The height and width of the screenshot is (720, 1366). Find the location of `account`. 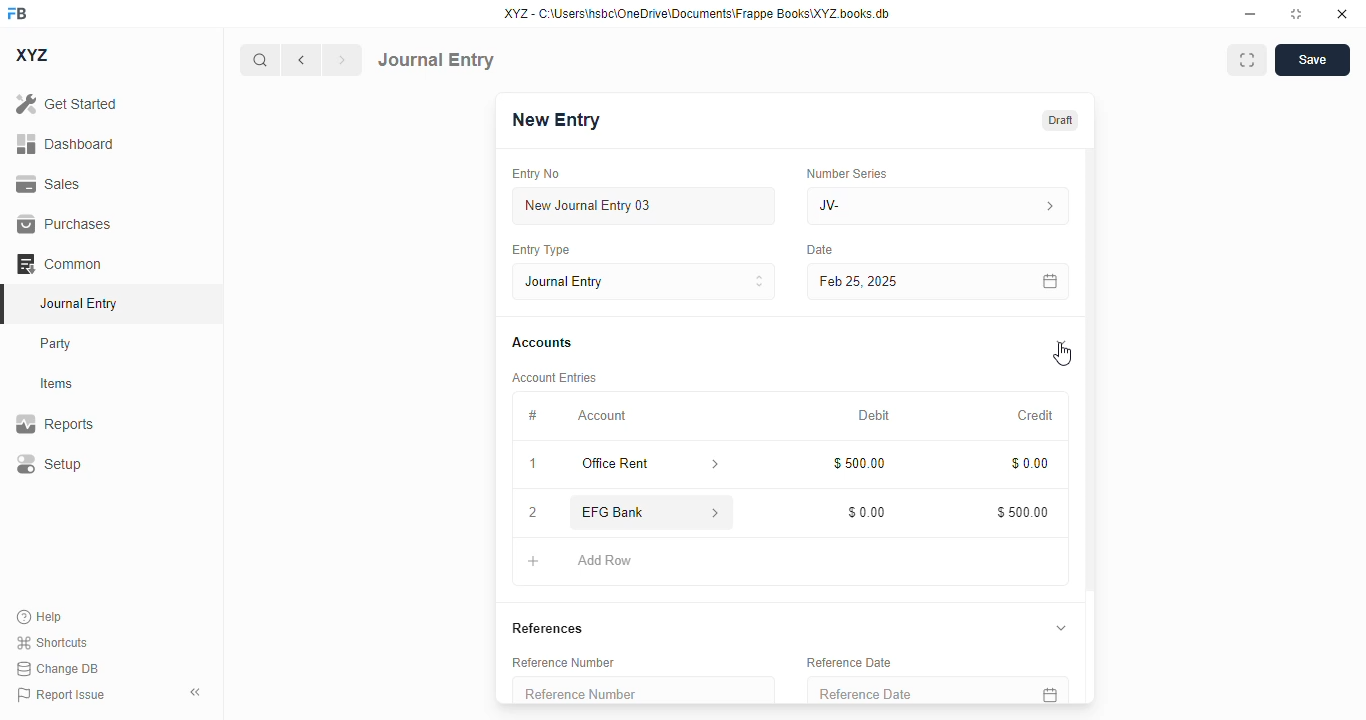

account is located at coordinates (602, 416).